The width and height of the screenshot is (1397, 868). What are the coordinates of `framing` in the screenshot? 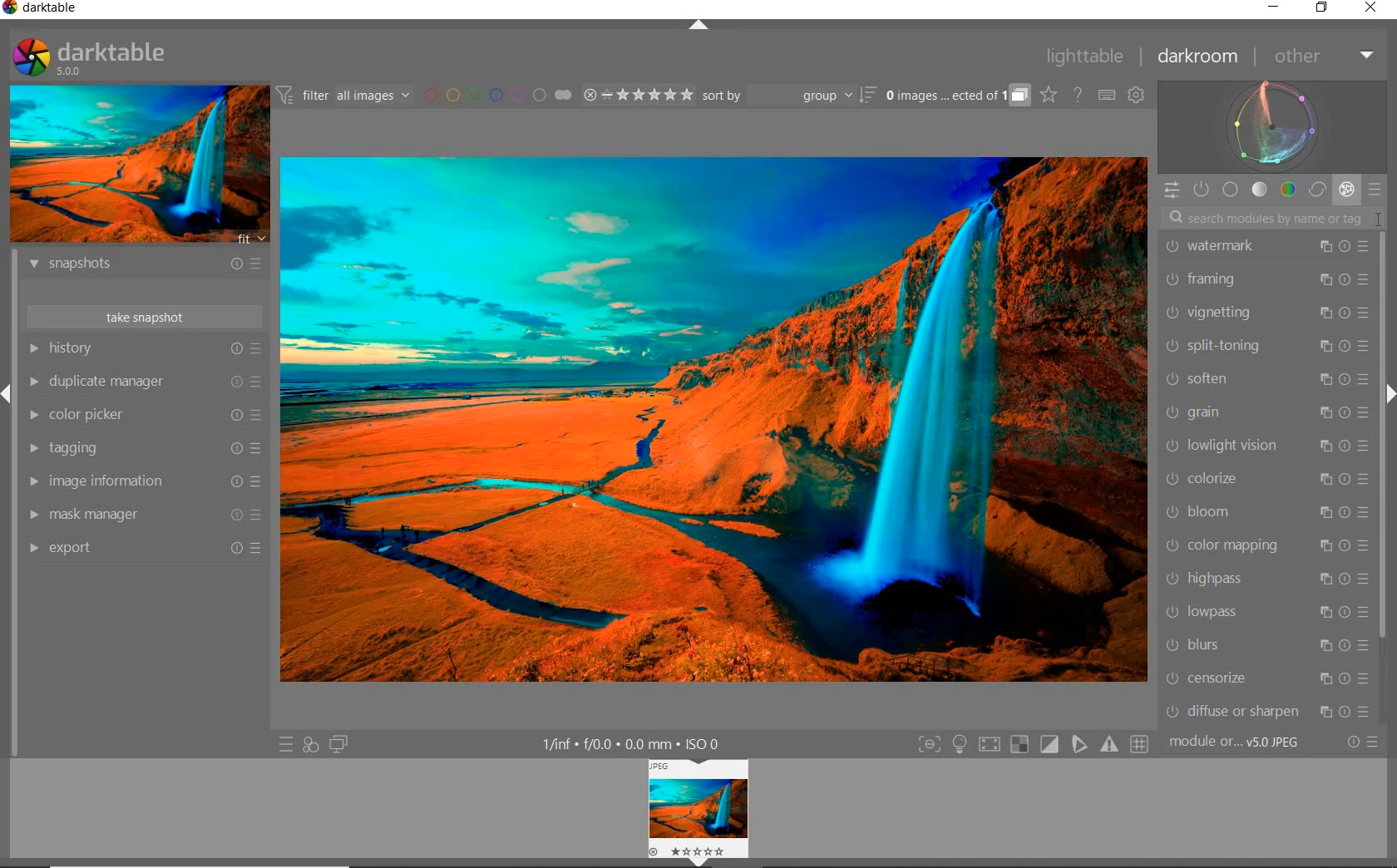 It's located at (1268, 281).